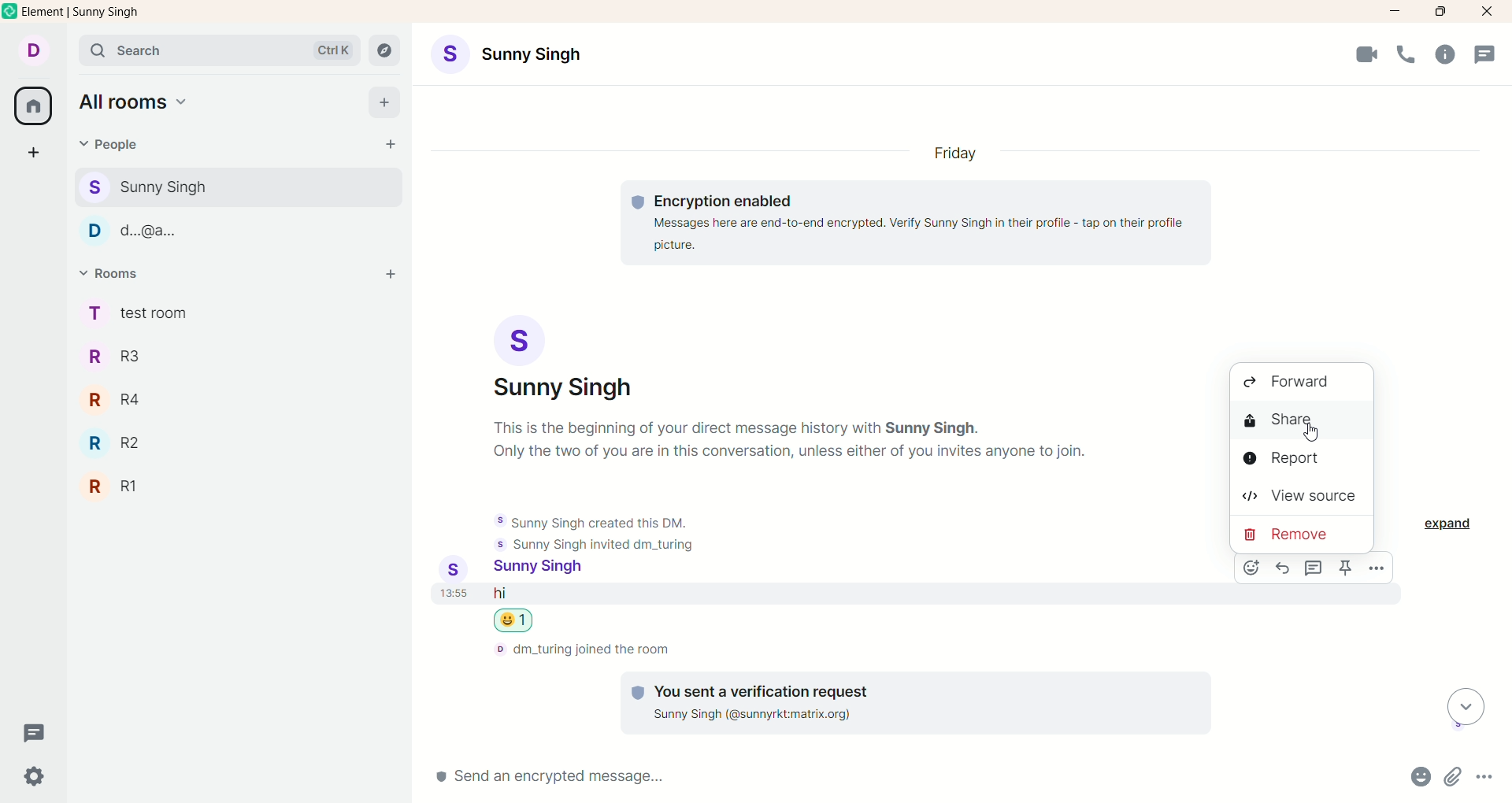 This screenshot has width=1512, height=803. What do you see at coordinates (1397, 9) in the screenshot?
I see `minimize` at bounding box center [1397, 9].